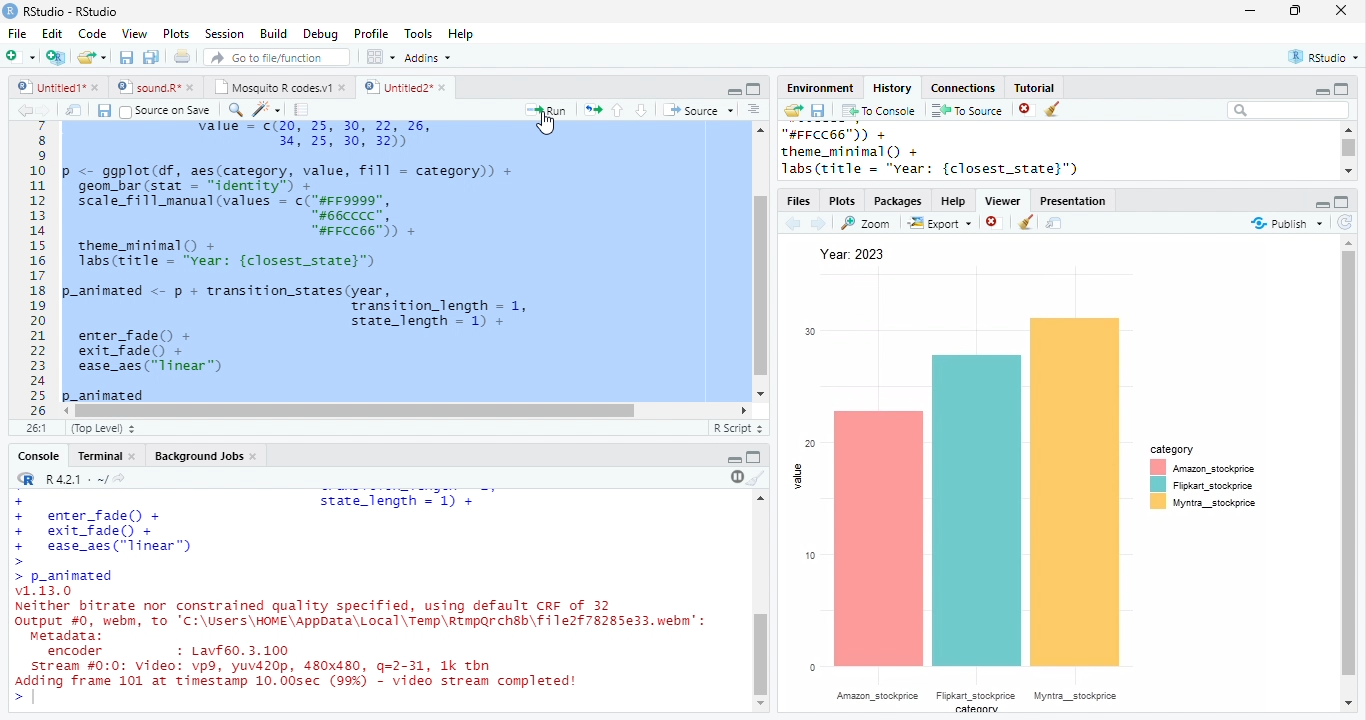 This screenshot has width=1366, height=720. Describe the element at coordinates (822, 89) in the screenshot. I see `Environment` at that location.